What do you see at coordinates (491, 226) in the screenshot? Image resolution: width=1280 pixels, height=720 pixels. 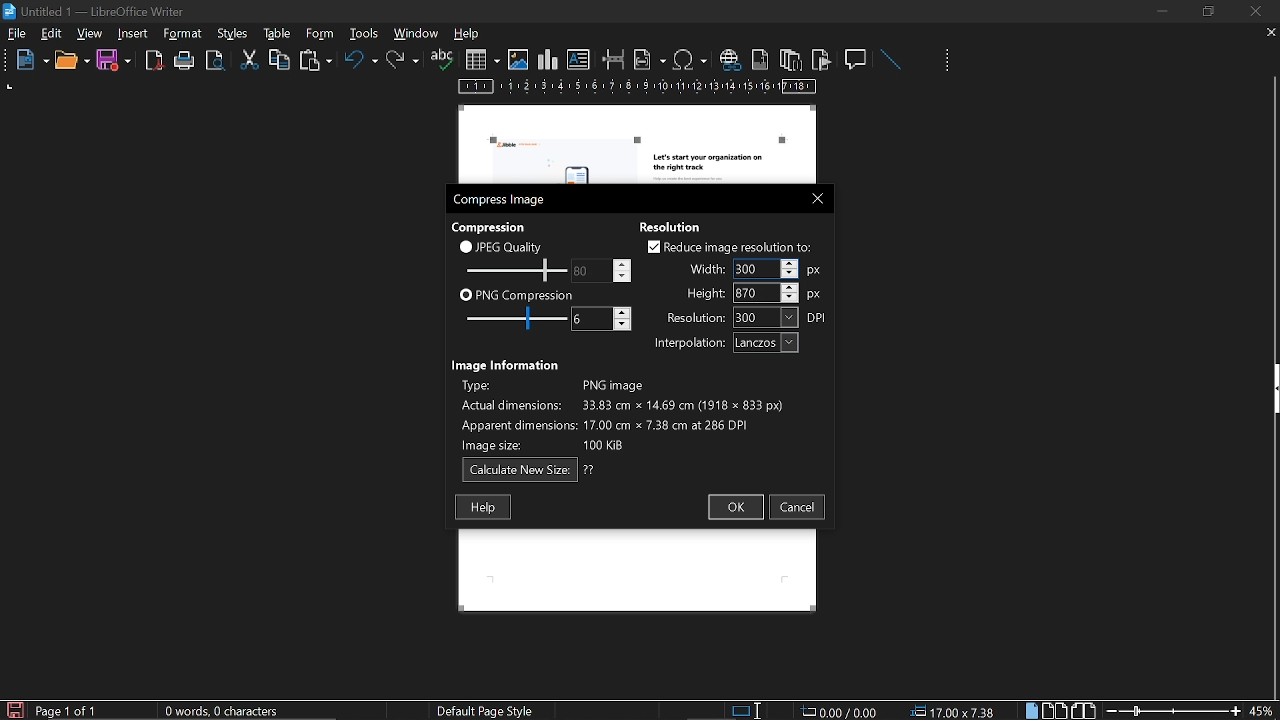 I see `Compression` at bounding box center [491, 226].